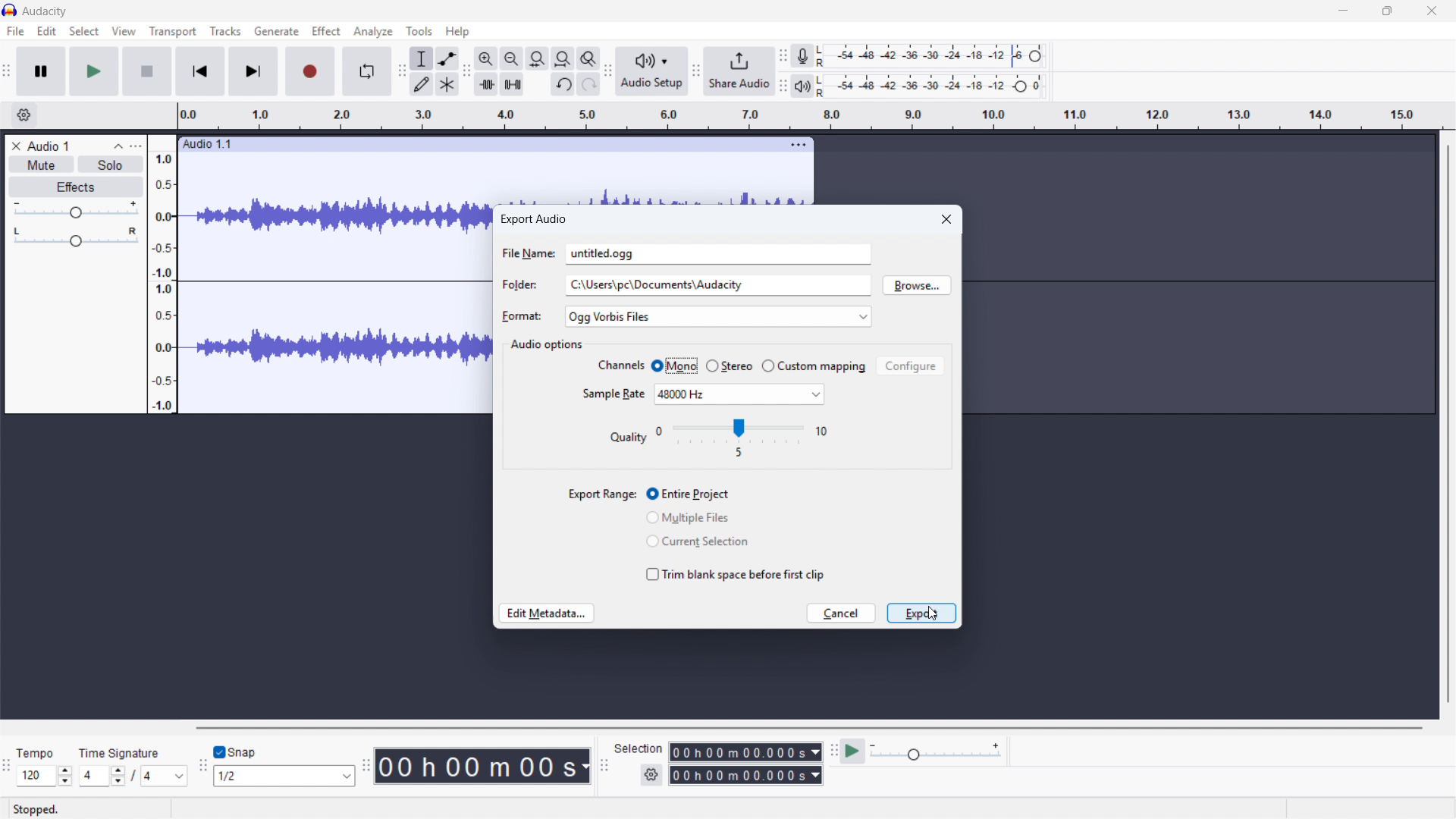 This screenshot has width=1456, height=819. I want to click on Tracks , so click(227, 30).